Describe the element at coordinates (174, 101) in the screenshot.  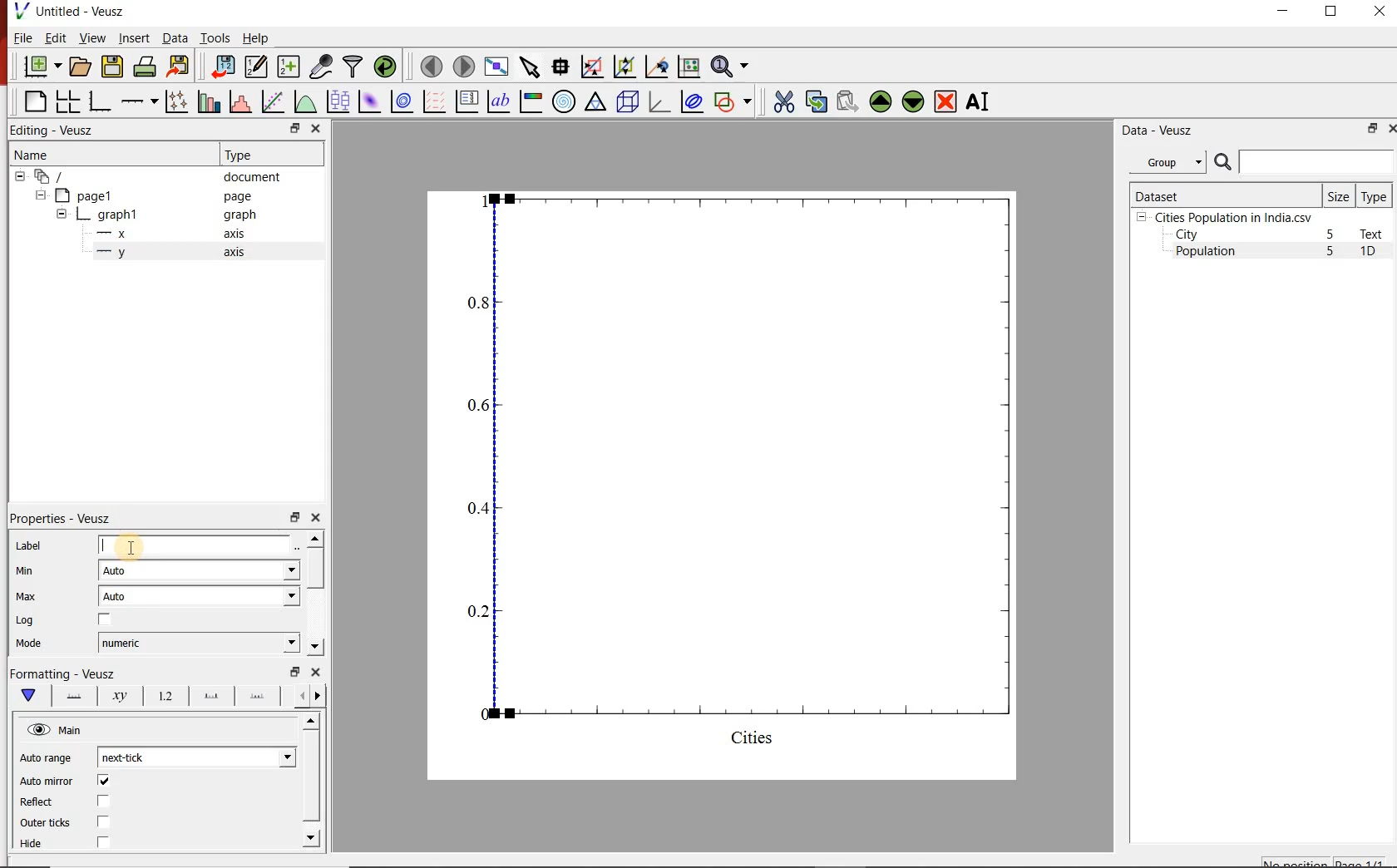
I see `plot points with lines and errorbars` at that location.